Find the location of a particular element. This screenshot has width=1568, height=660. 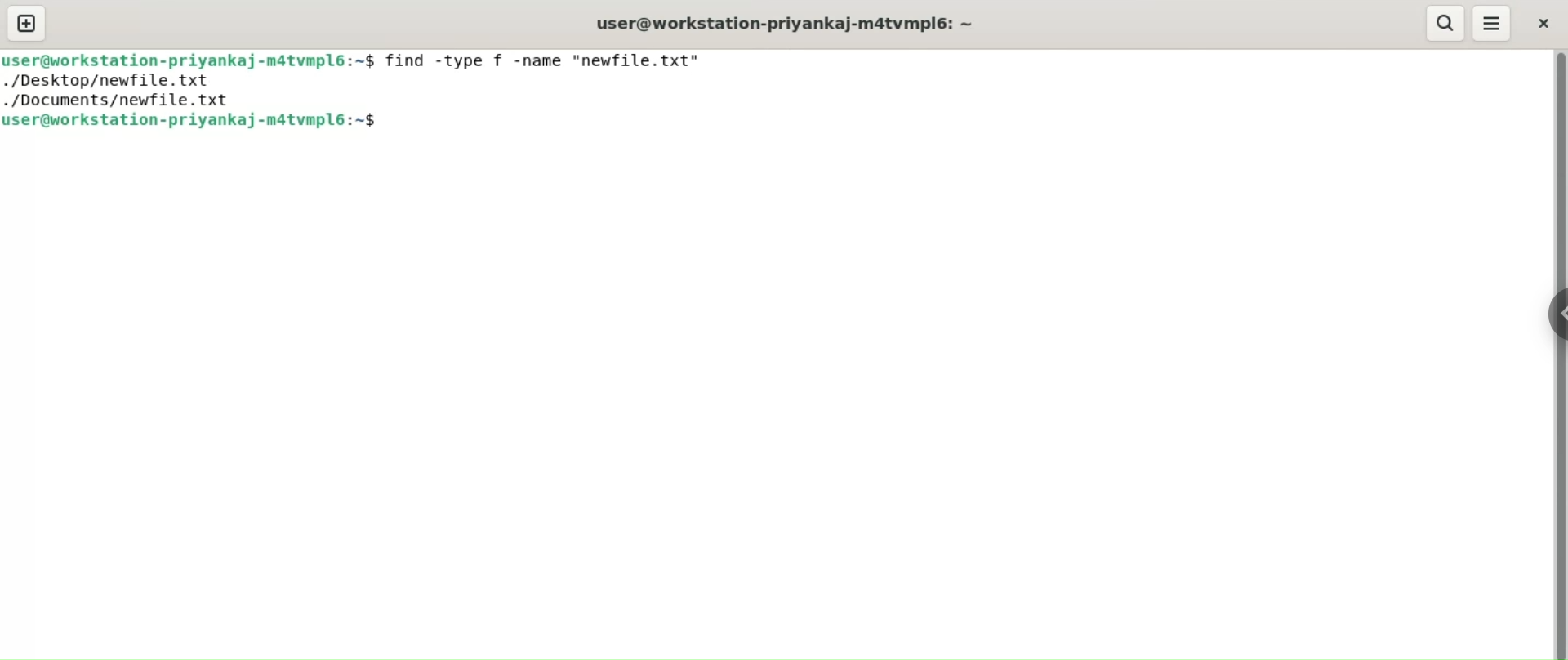

./documents/newfile.txt  is located at coordinates (120, 103).